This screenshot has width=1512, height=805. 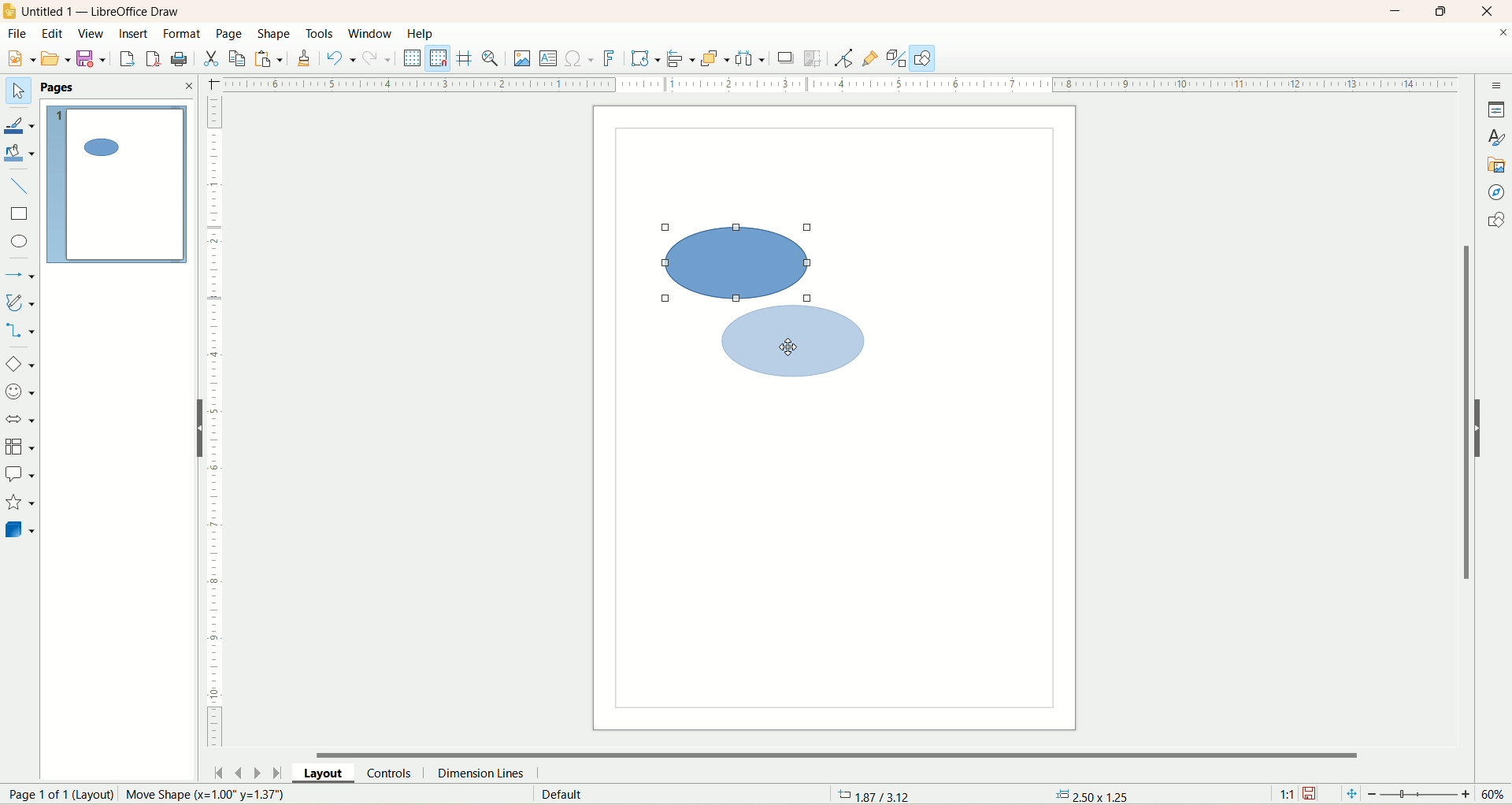 I want to click on format, so click(x=186, y=35).